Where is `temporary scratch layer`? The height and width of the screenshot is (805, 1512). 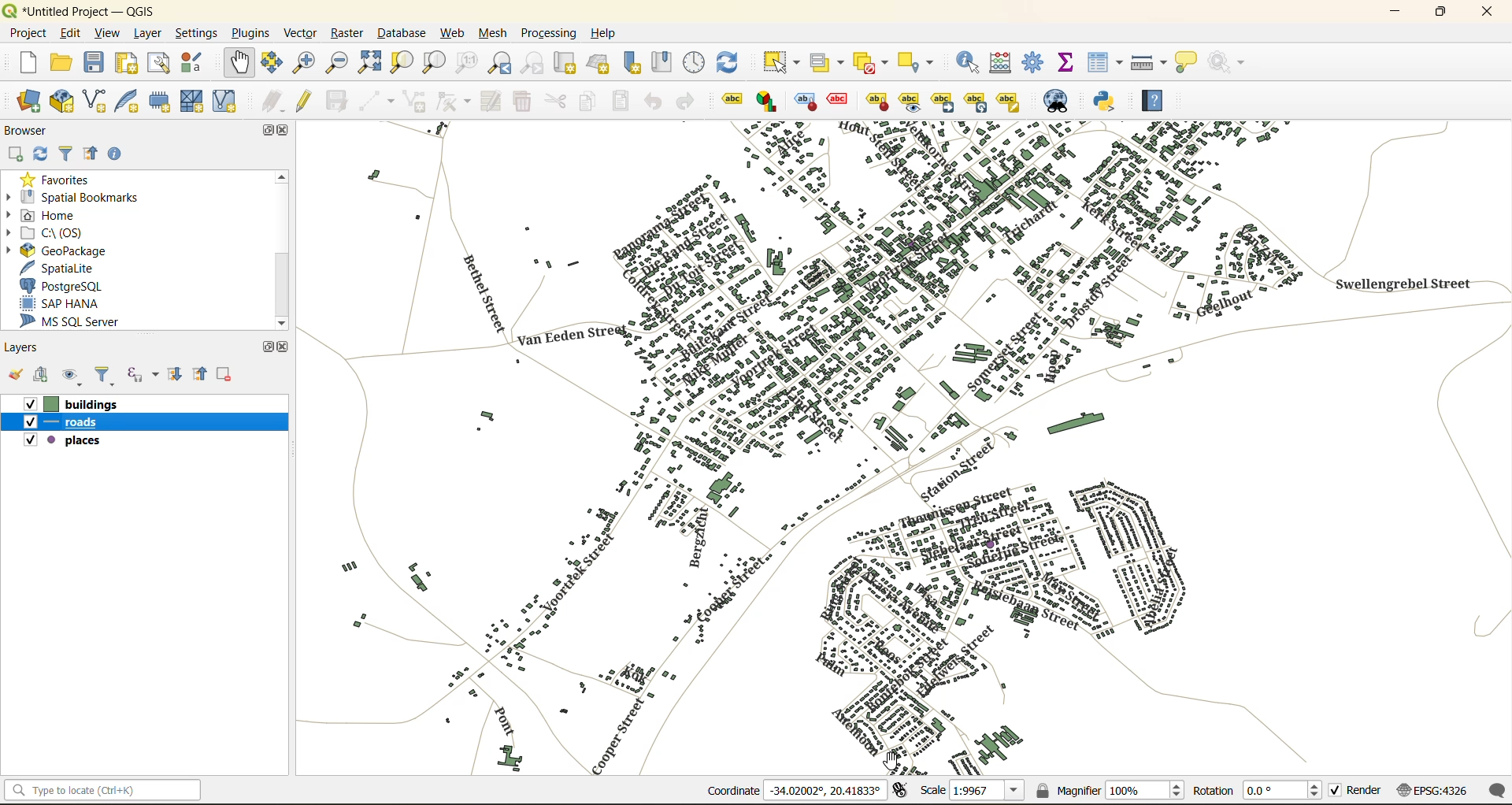
temporary scratch layer is located at coordinates (161, 101).